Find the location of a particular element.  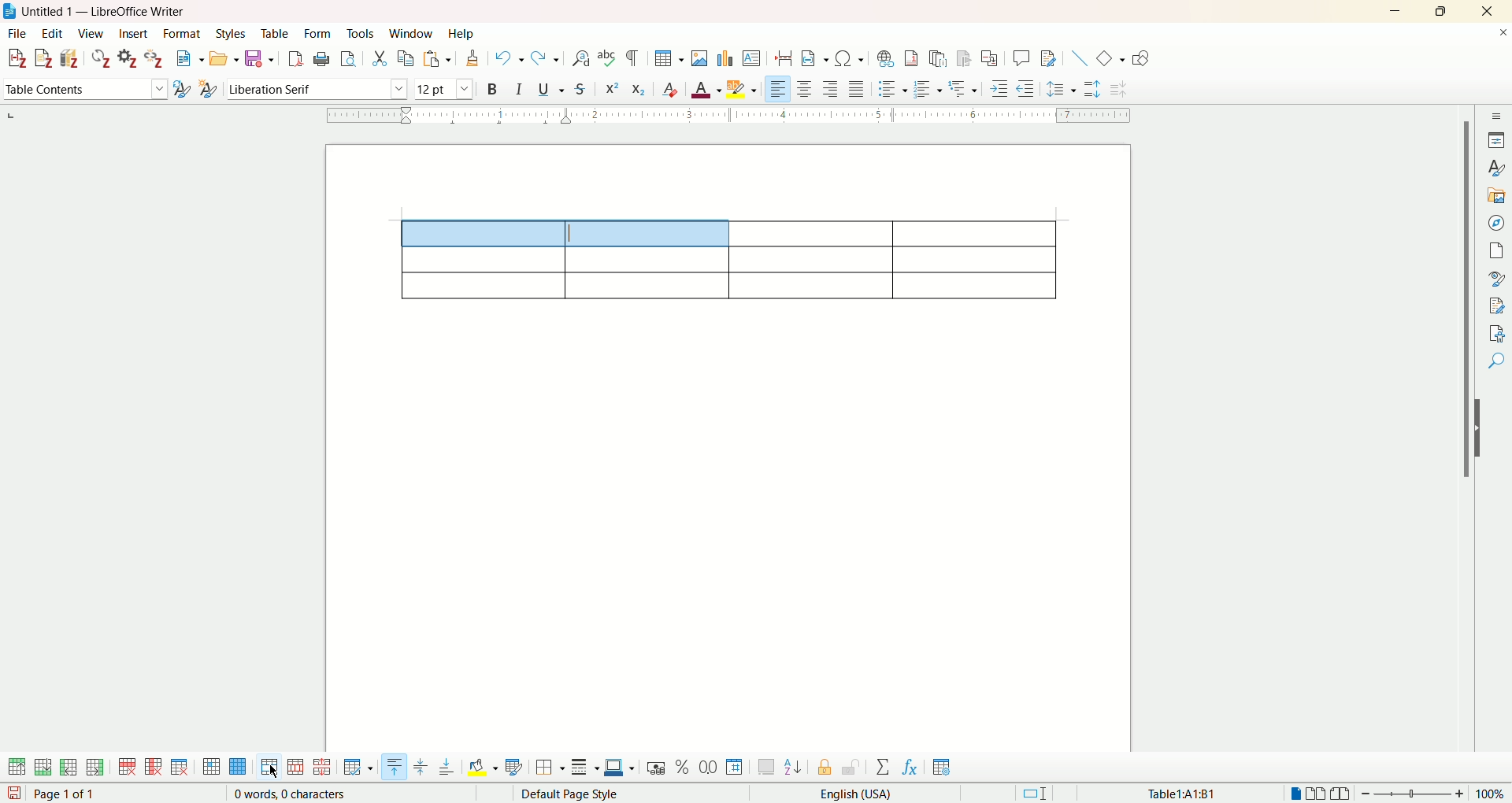

align right is located at coordinates (831, 90).